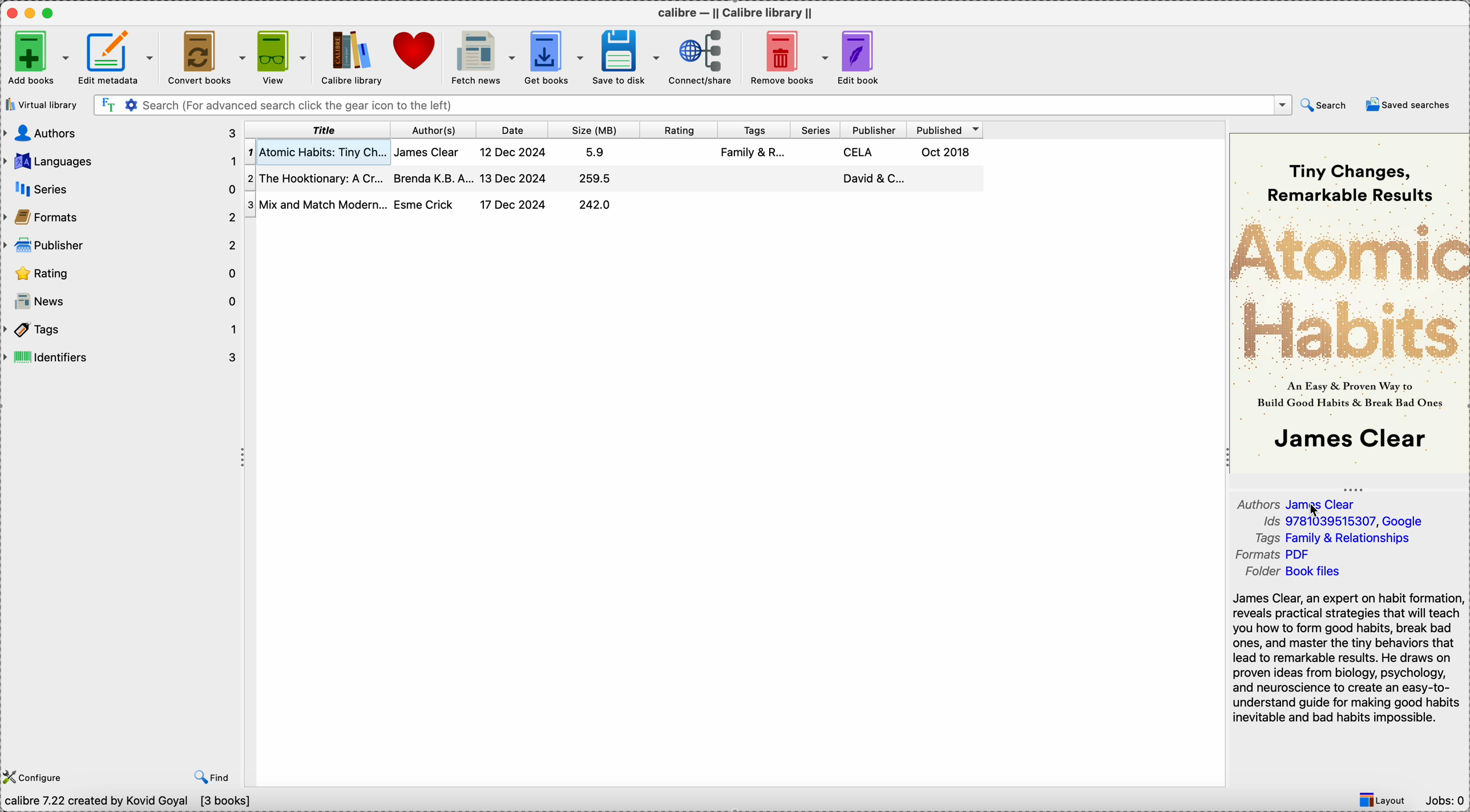 The height and width of the screenshot is (812, 1470). I want to click on calibre 7.22 created by Kovid Goyal [3 books], so click(131, 803).